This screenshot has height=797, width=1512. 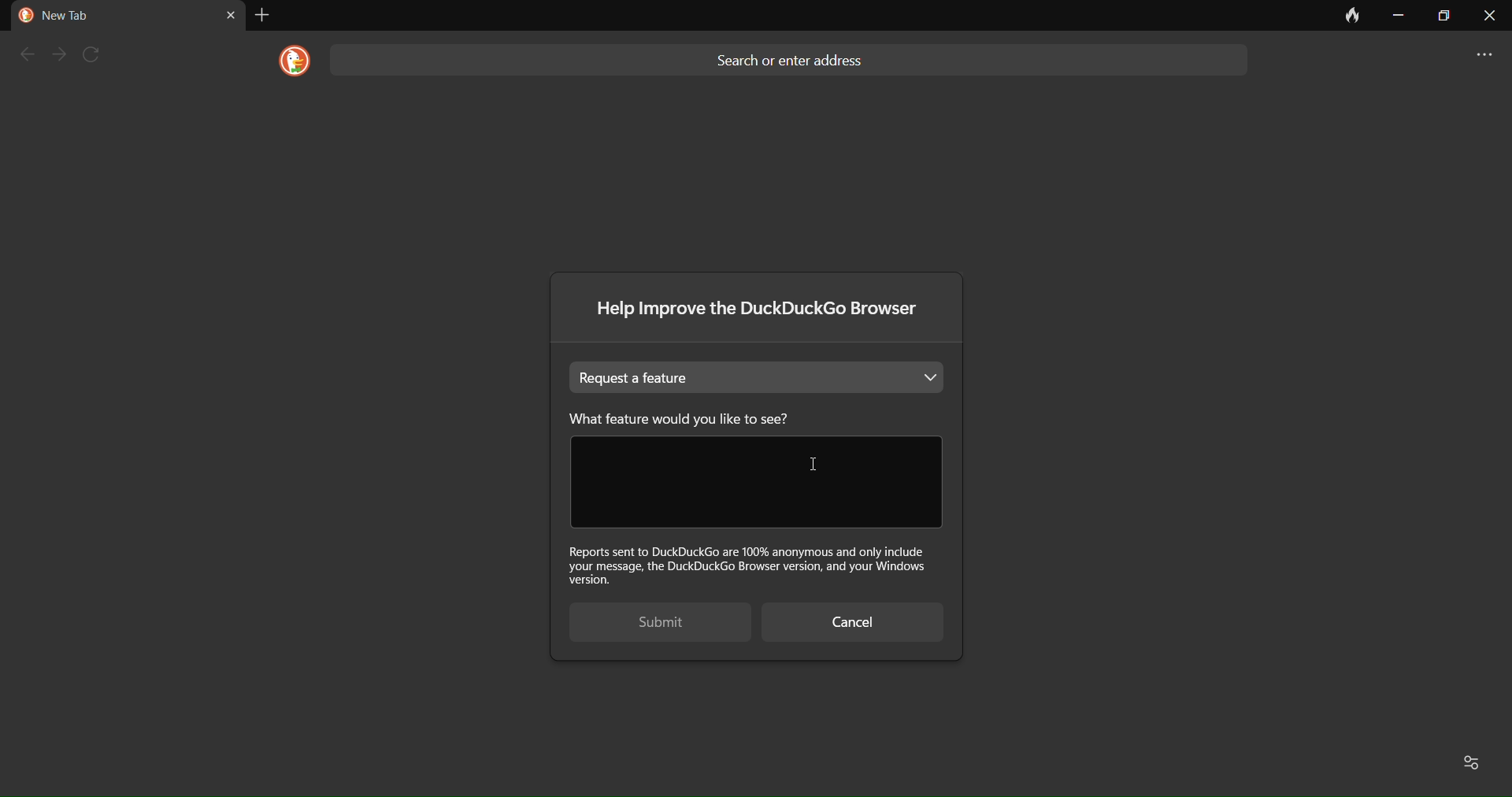 What do you see at coordinates (1476, 57) in the screenshot?
I see `more` at bounding box center [1476, 57].